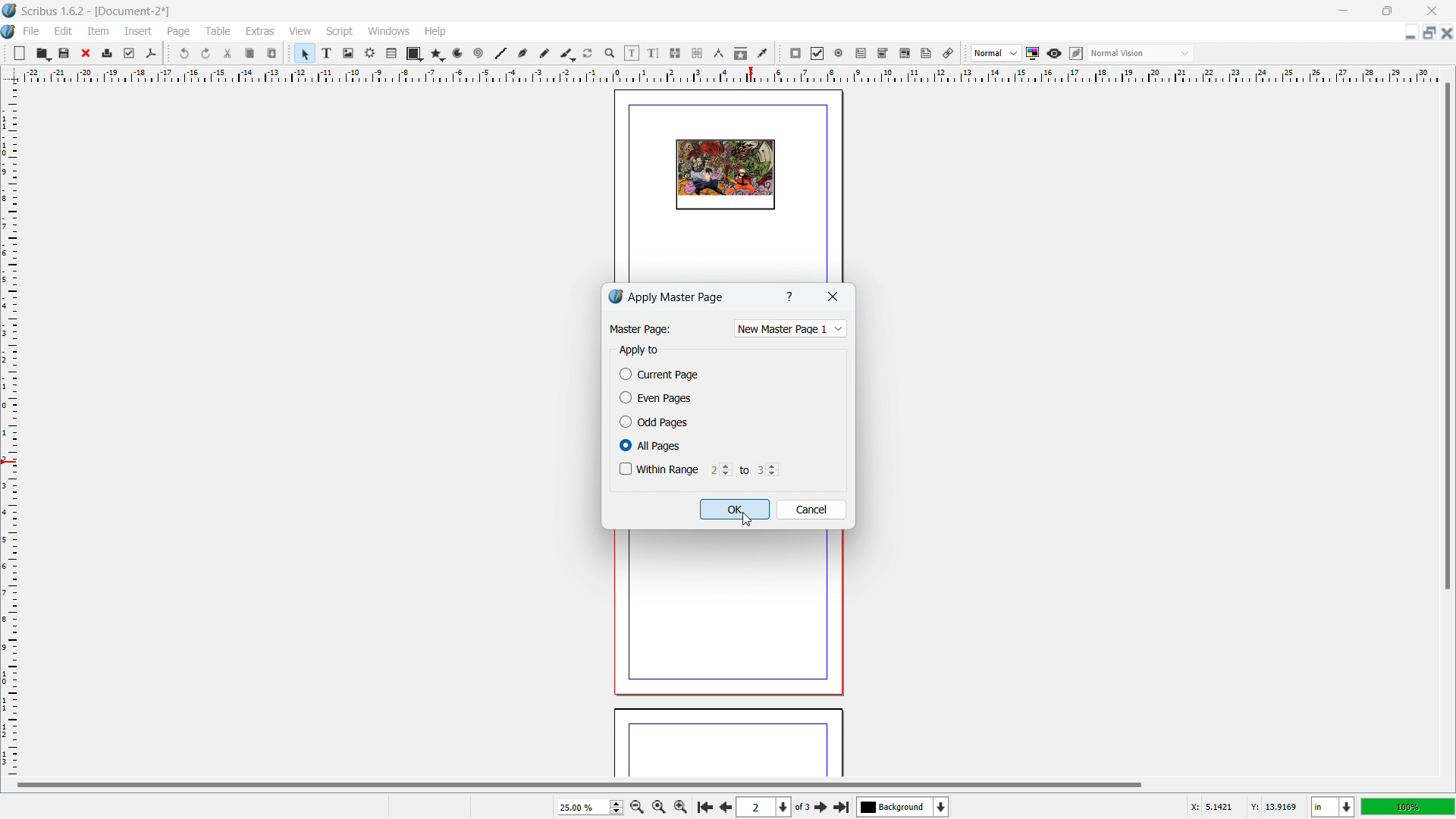 The width and height of the screenshot is (1456, 819). Describe the element at coordinates (290, 52) in the screenshot. I see `move toolbox` at that location.